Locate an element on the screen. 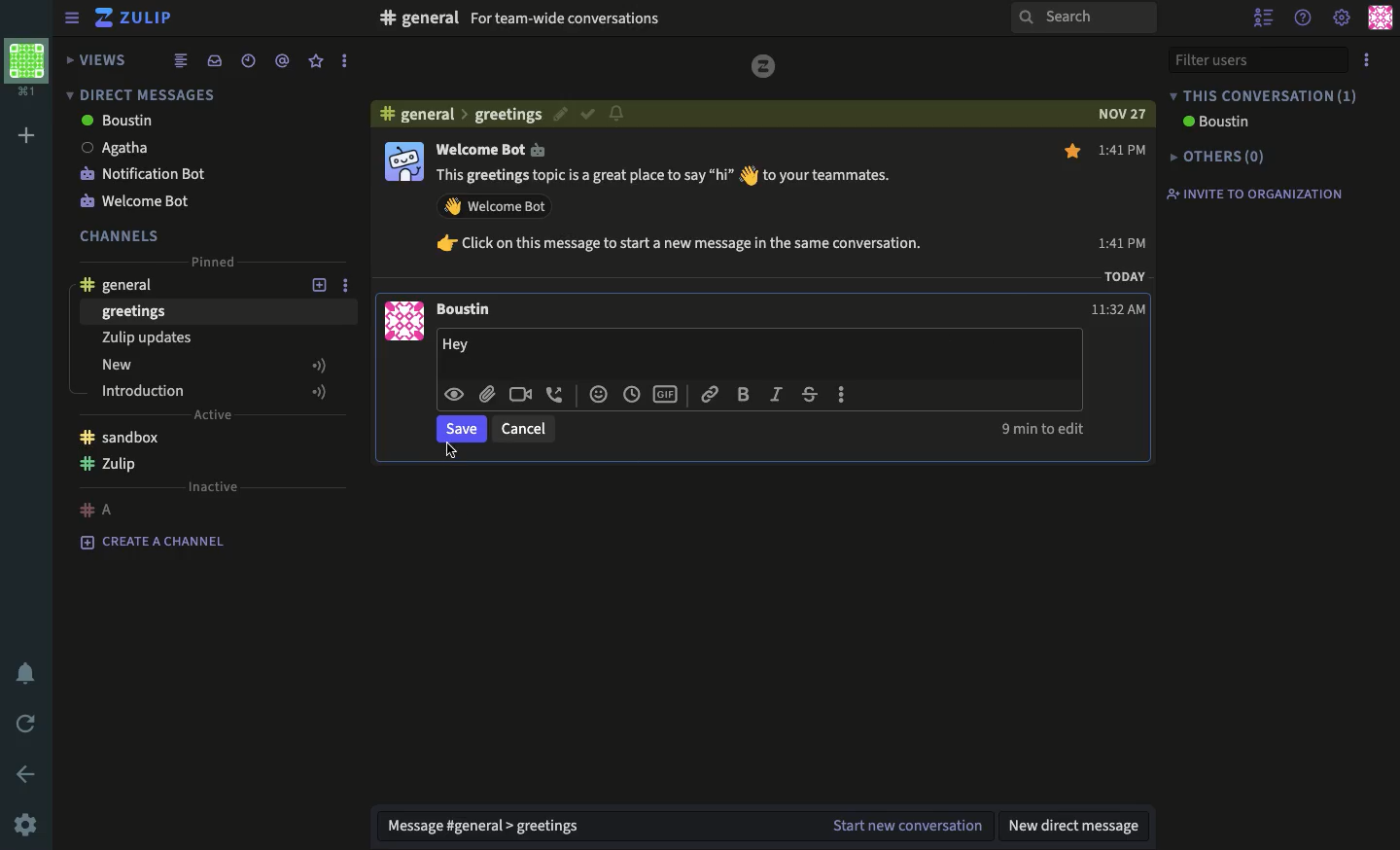 This screenshot has width=1400, height=850. time is located at coordinates (631, 393).